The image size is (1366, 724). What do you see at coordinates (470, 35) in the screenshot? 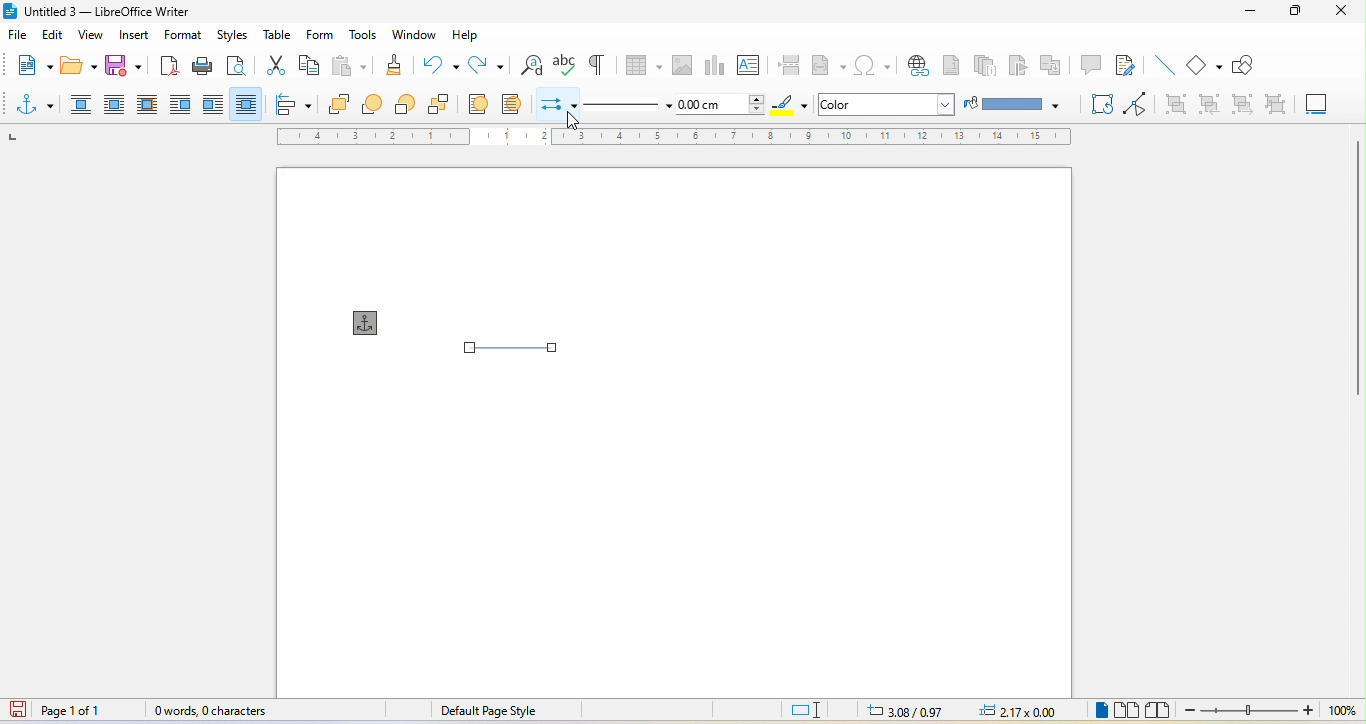
I see `help` at bounding box center [470, 35].